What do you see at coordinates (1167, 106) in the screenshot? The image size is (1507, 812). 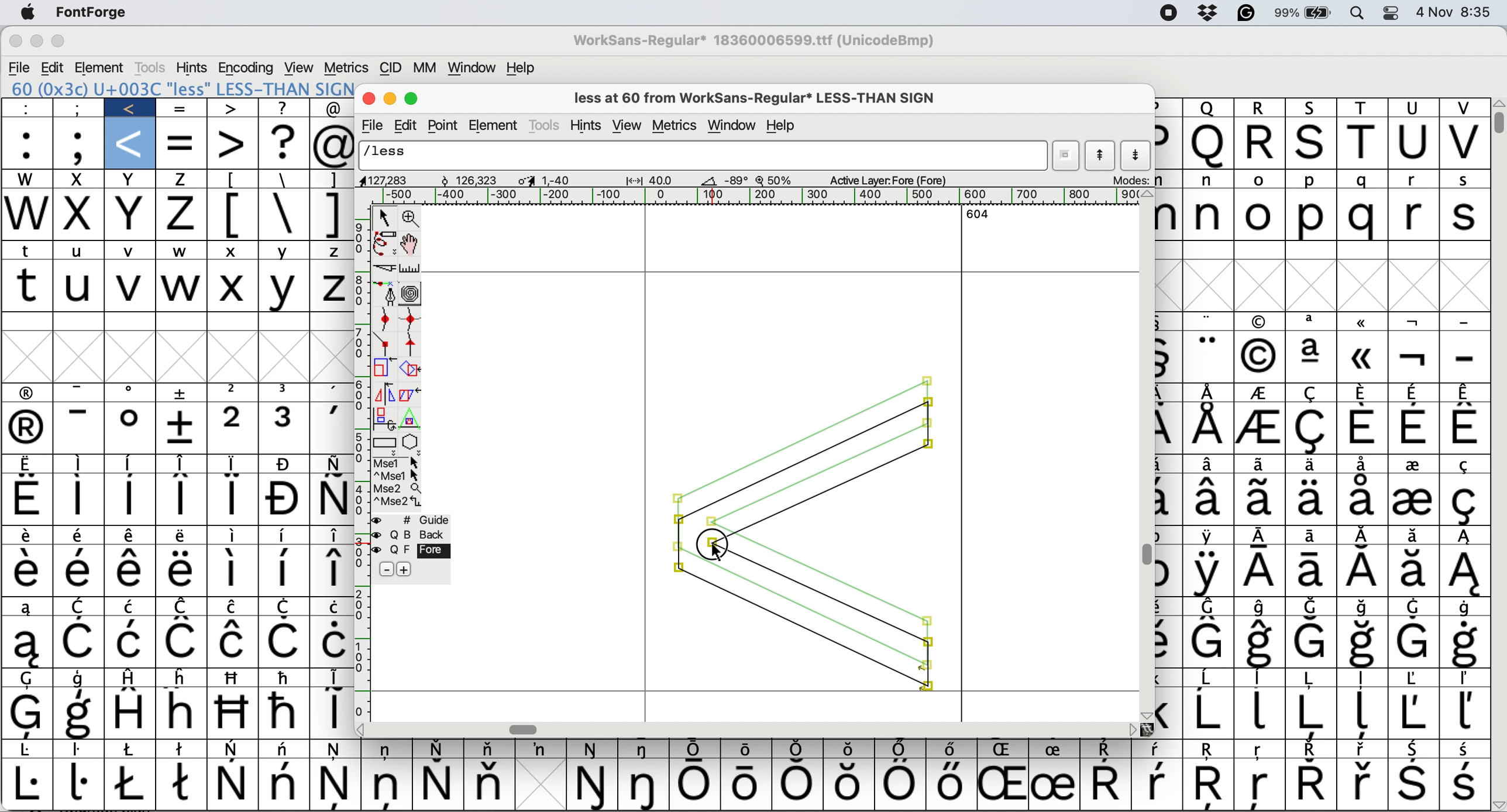 I see `p` at bounding box center [1167, 106].